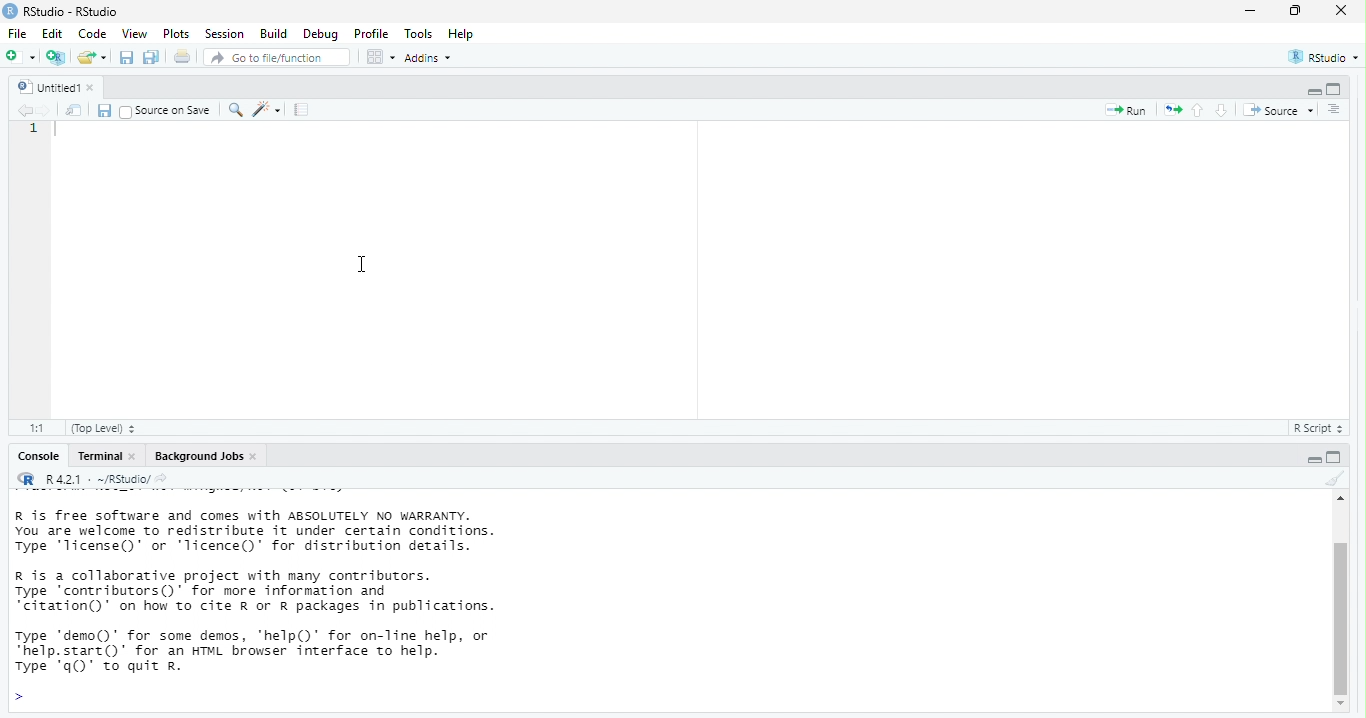 This screenshot has height=718, width=1366. What do you see at coordinates (63, 131) in the screenshot?
I see `typing cursor` at bounding box center [63, 131].